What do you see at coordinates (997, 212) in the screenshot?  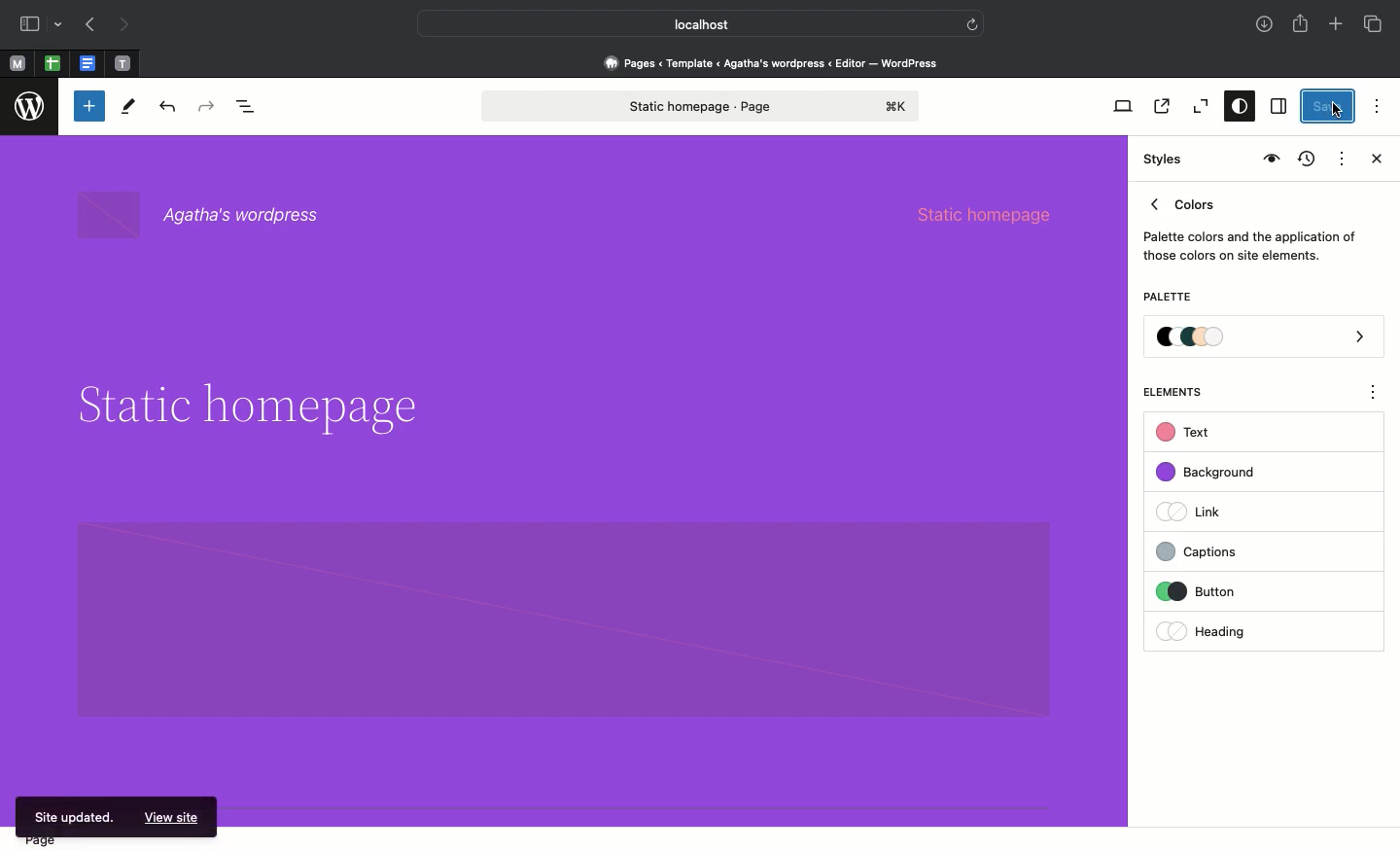 I see `Static homepage` at bounding box center [997, 212].